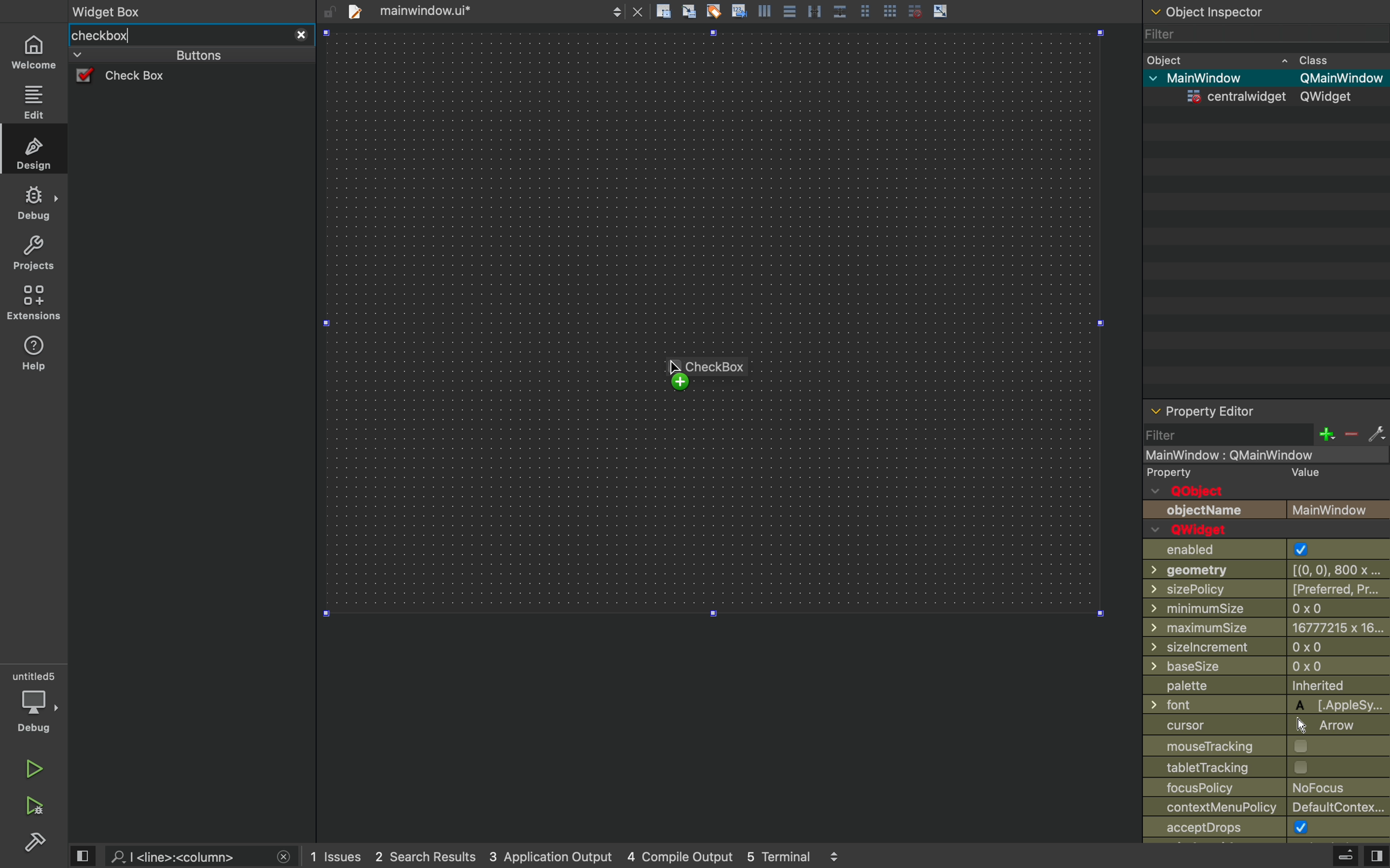 Image resolution: width=1390 pixels, height=868 pixels. What do you see at coordinates (1265, 10) in the screenshot?
I see `object inspector` at bounding box center [1265, 10].